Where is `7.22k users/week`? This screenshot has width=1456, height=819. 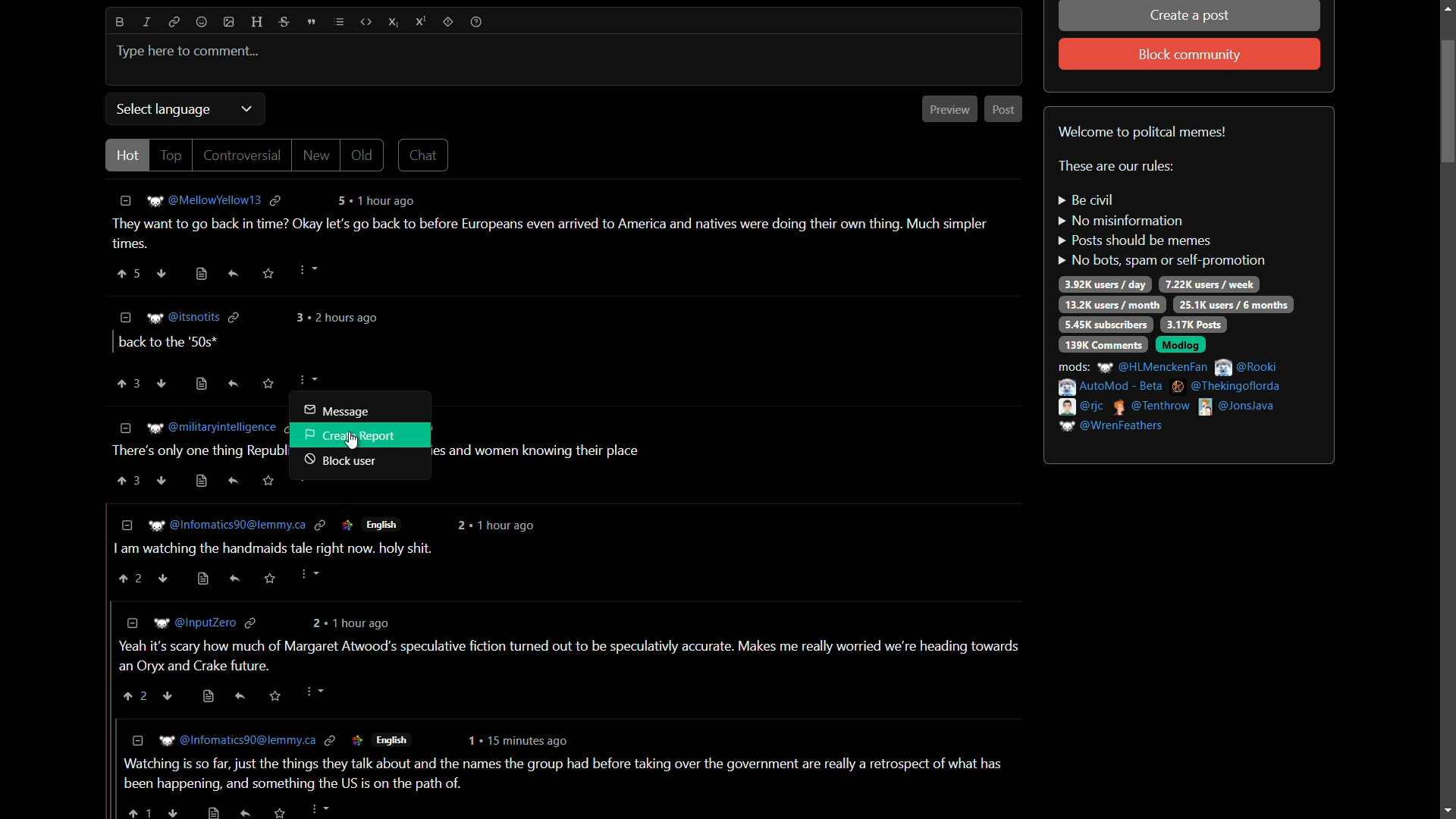 7.22k users/week is located at coordinates (1209, 285).